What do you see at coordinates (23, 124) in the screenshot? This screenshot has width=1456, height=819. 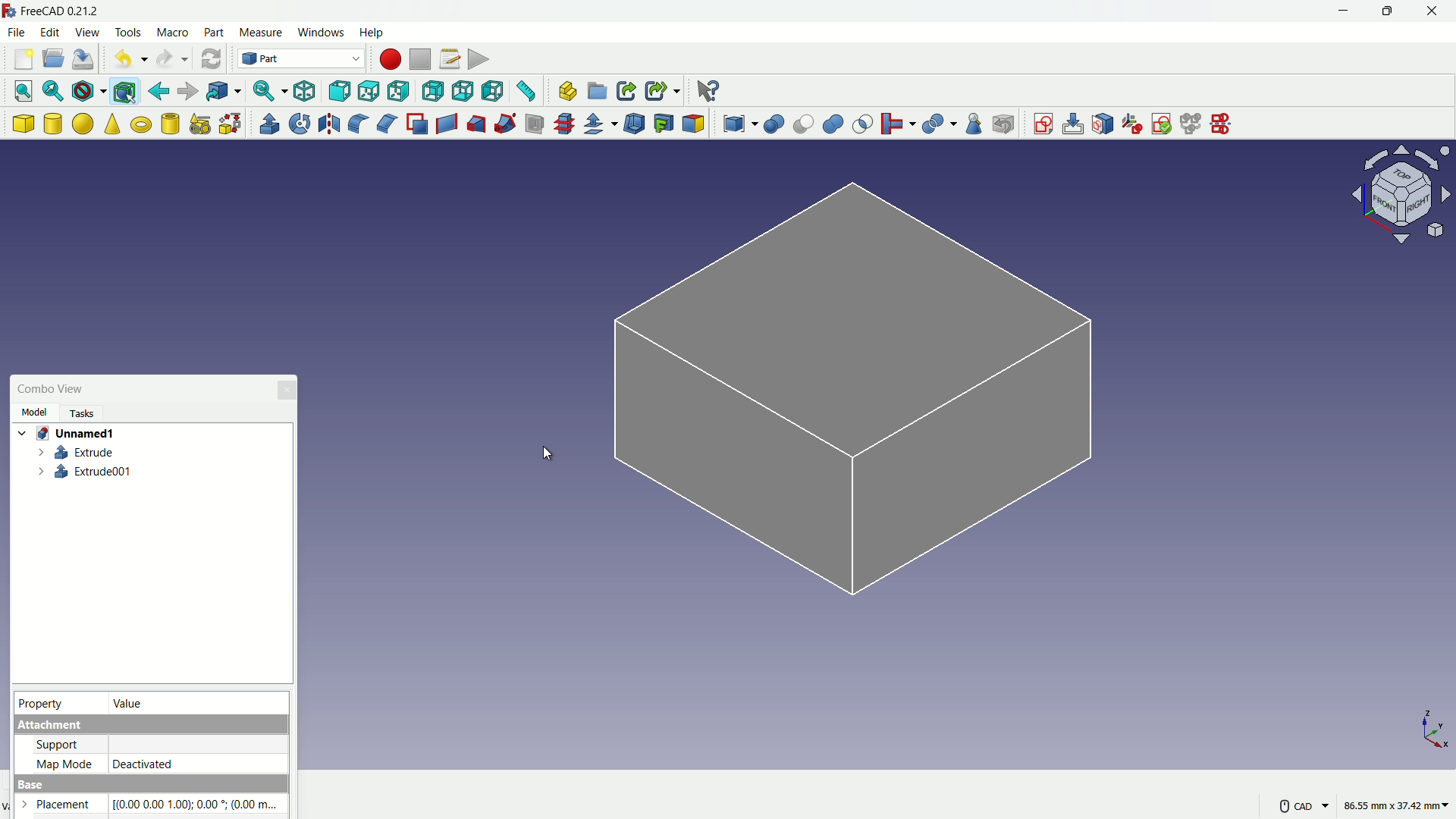 I see `cube` at bounding box center [23, 124].